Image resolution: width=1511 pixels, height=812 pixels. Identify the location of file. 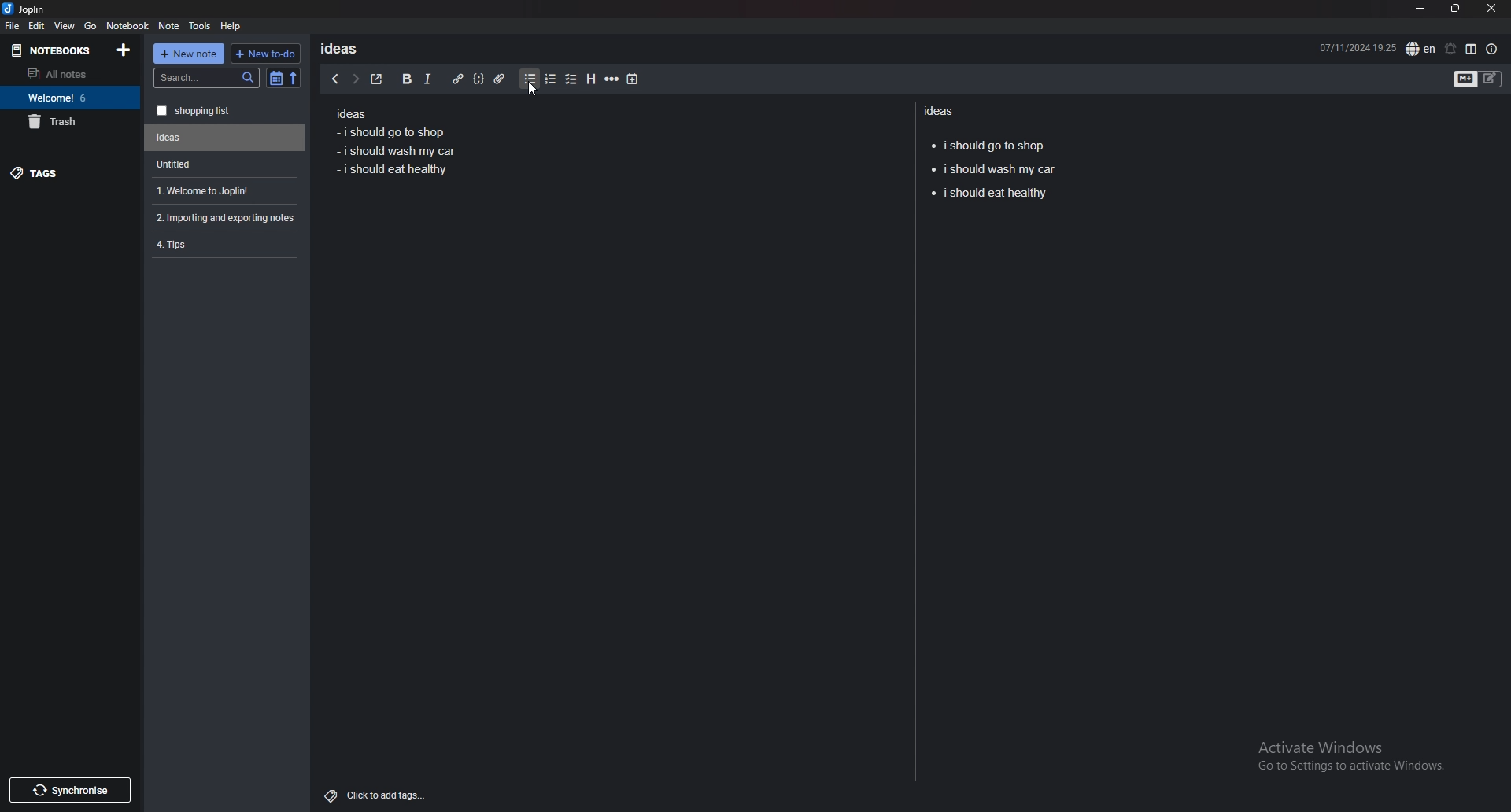
(12, 25).